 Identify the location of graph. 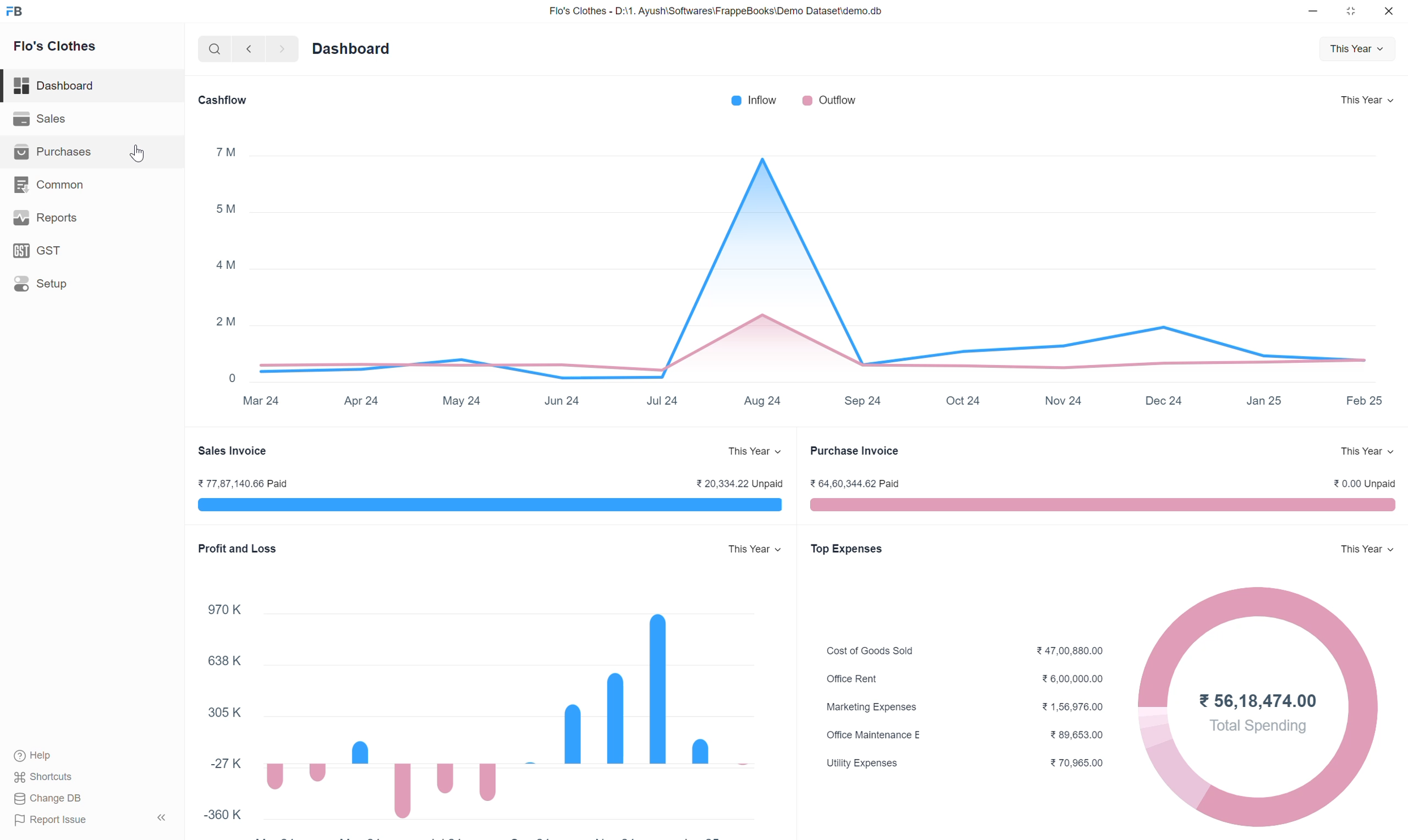
(506, 725).